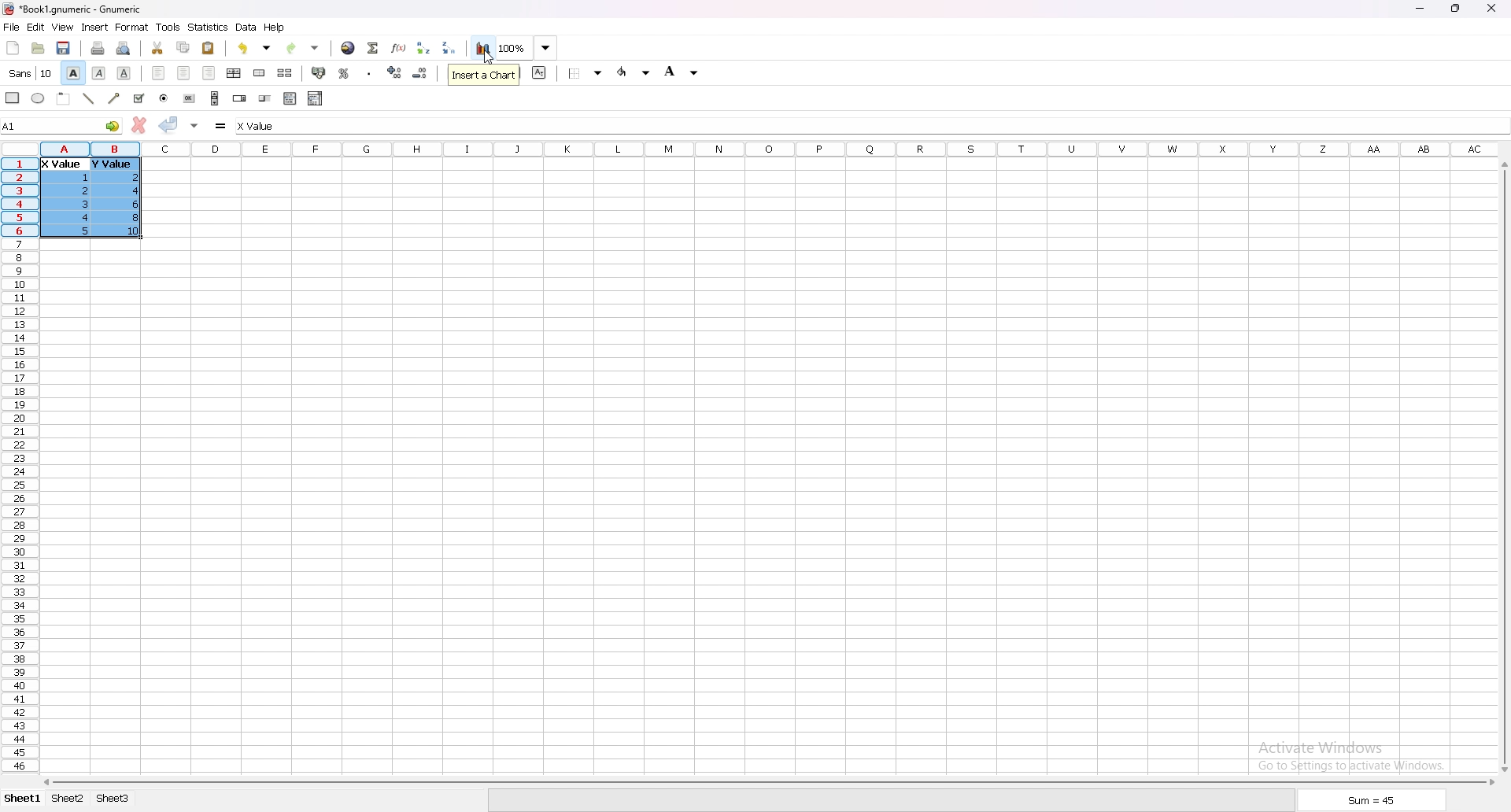 The height and width of the screenshot is (812, 1511). I want to click on thousands separator, so click(370, 72).